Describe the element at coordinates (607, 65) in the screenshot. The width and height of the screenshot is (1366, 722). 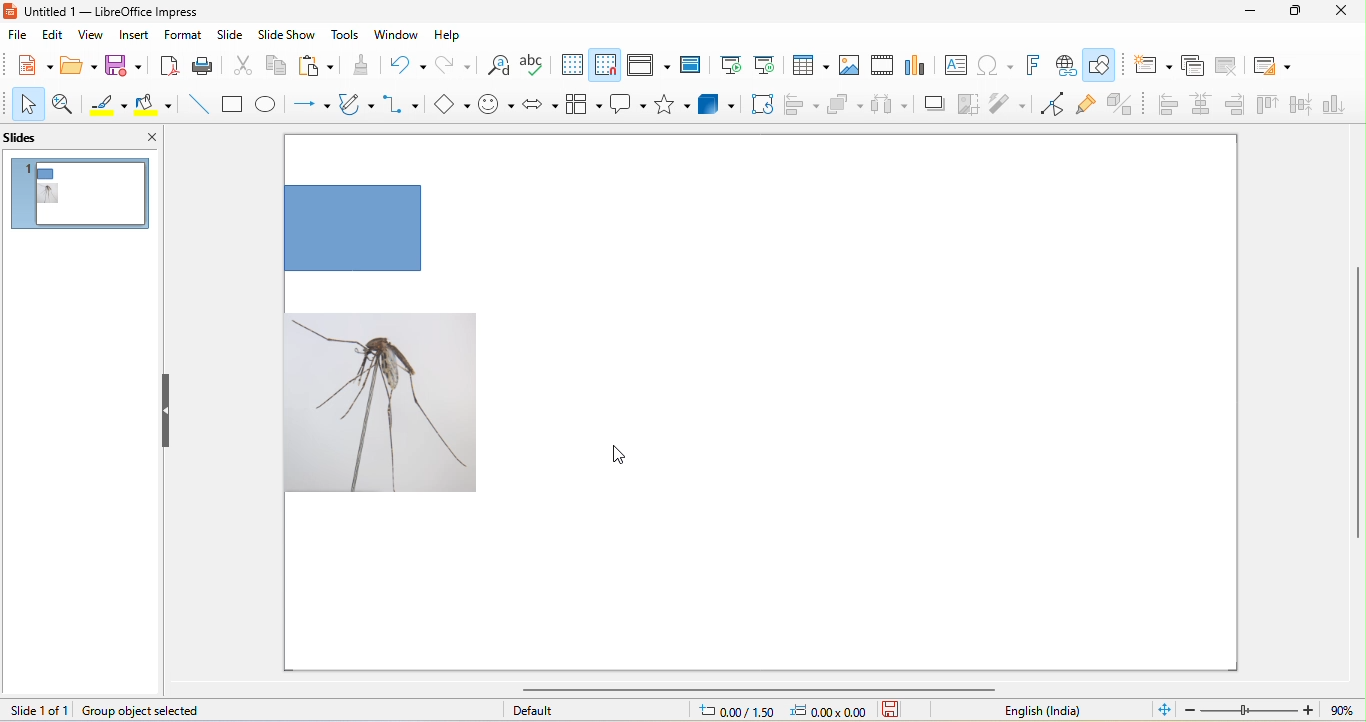
I see `snap to grid` at that location.